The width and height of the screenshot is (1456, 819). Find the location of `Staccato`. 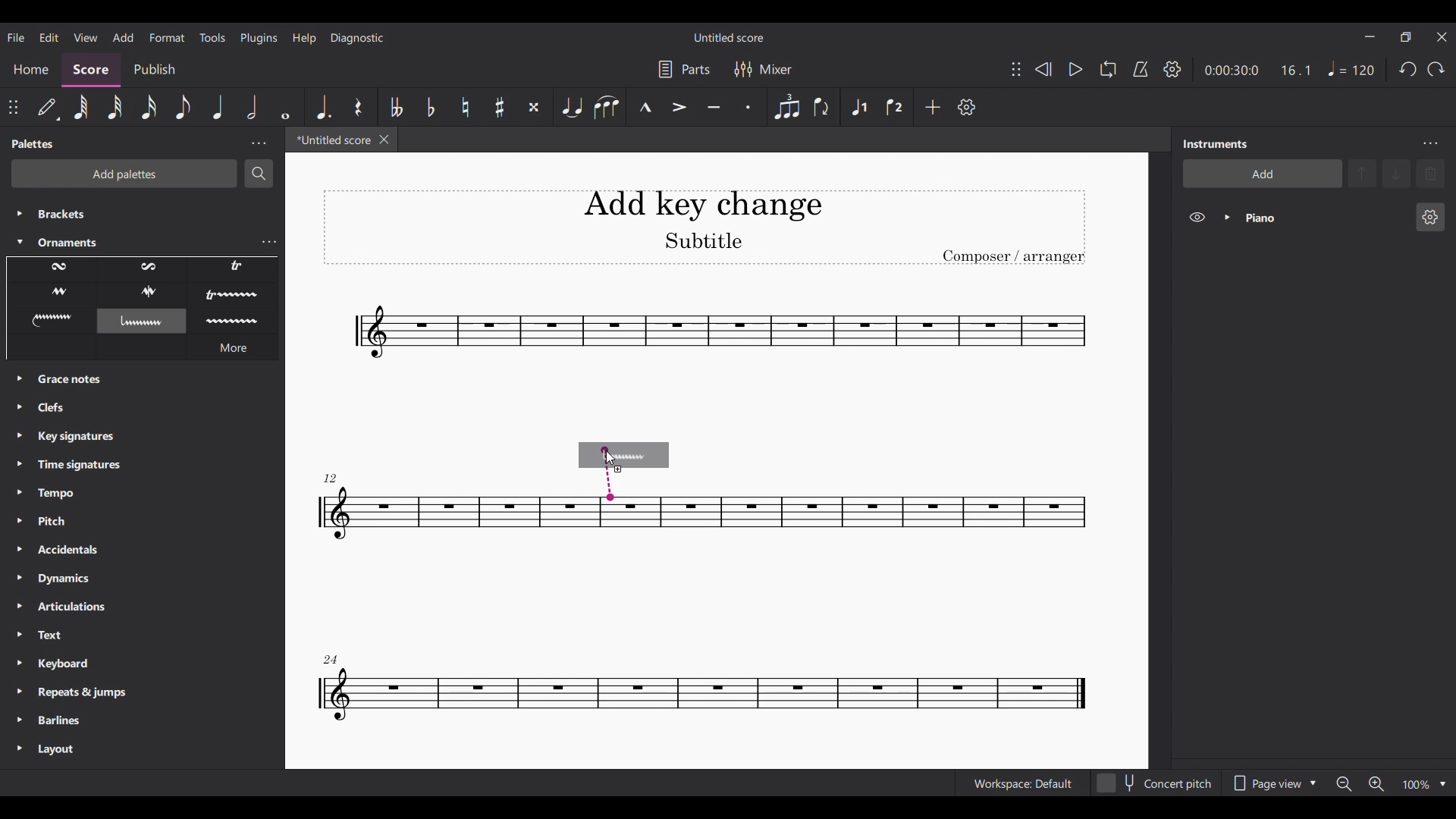

Staccato is located at coordinates (748, 107).